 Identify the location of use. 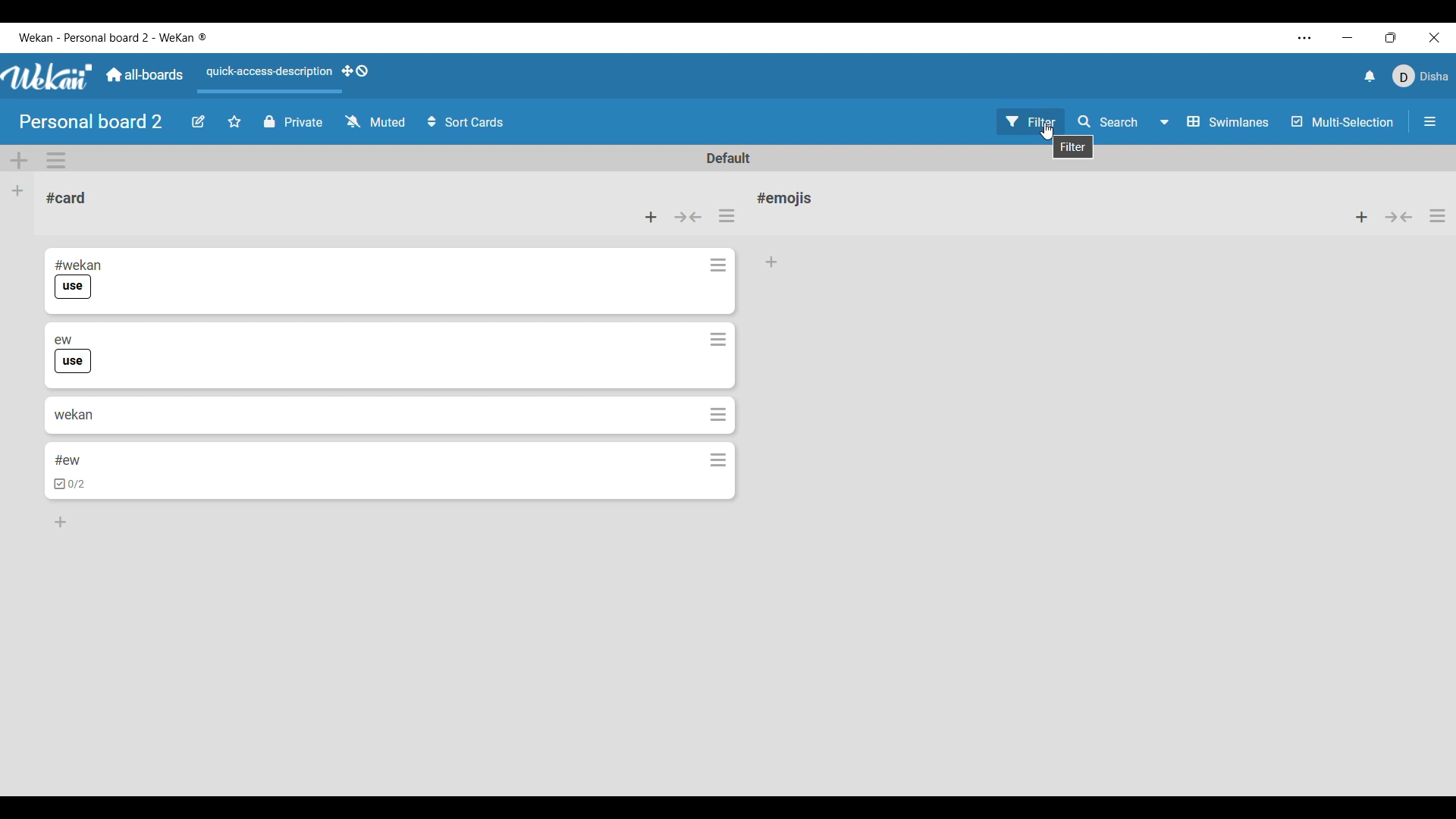
(75, 362).